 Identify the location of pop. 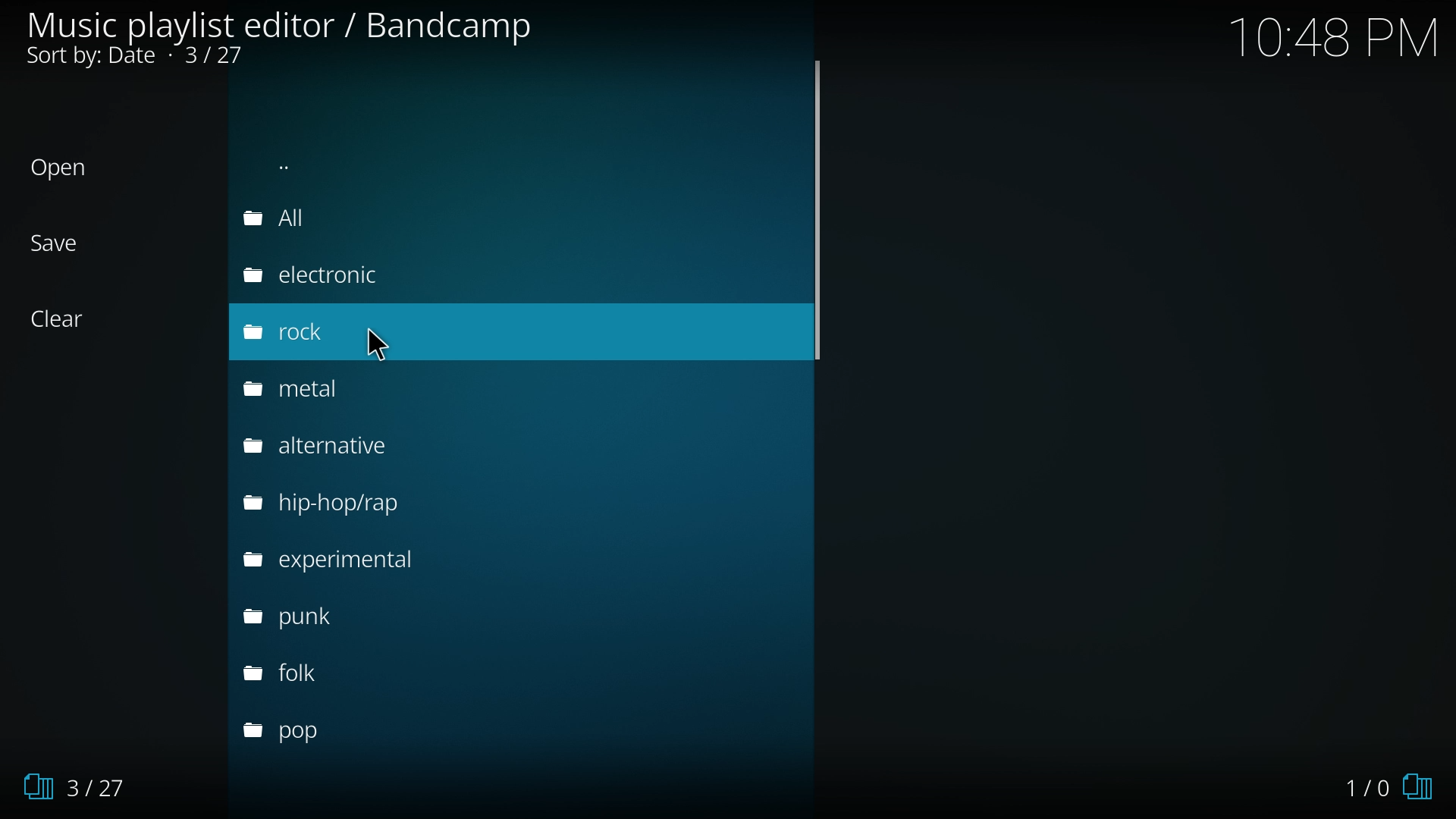
(306, 729).